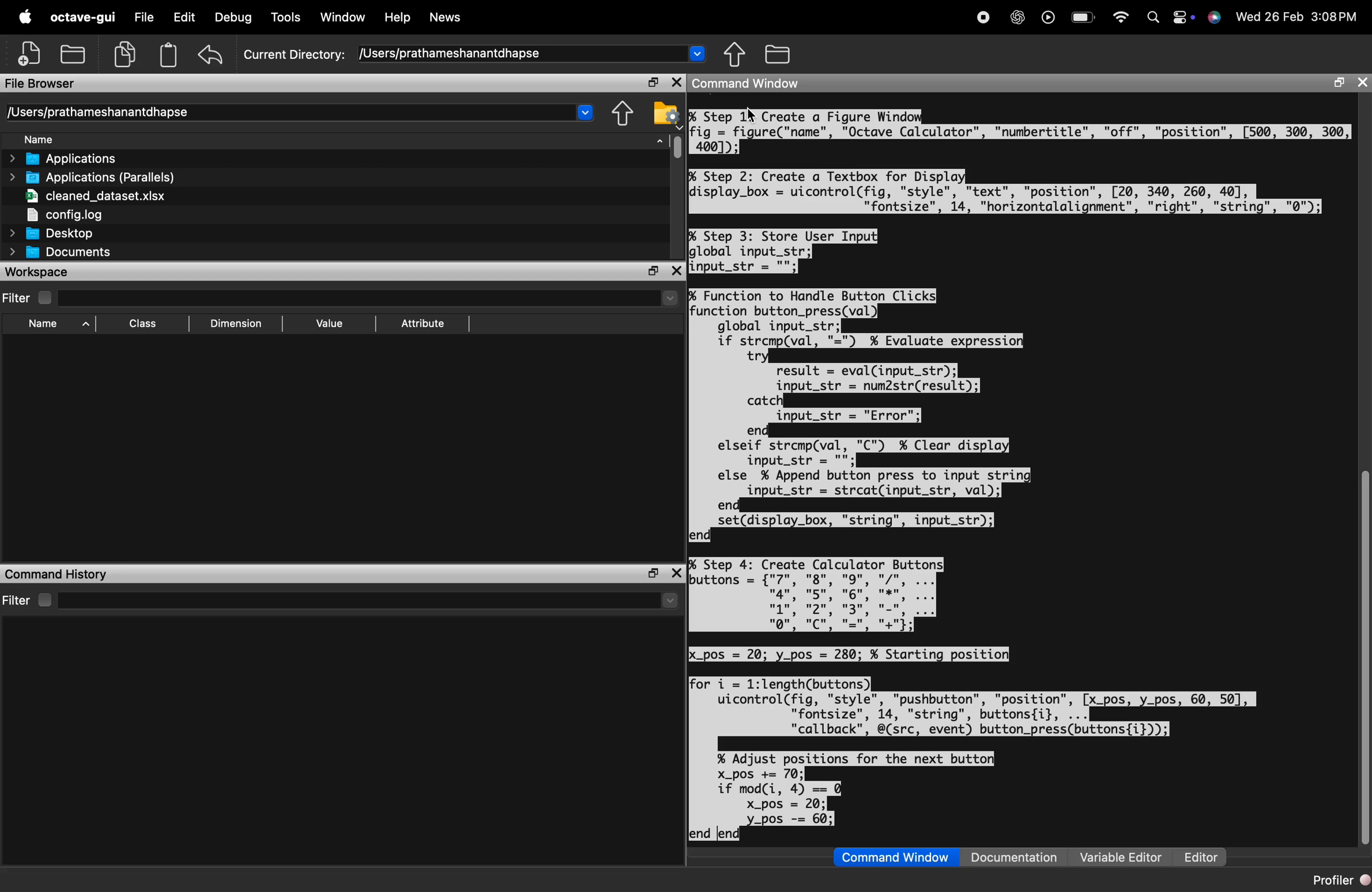 This screenshot has height=892, width=1372. Describe the element at coordinates (1363, 655) in the screenshot. I see `vertical scrollbar` at that location.